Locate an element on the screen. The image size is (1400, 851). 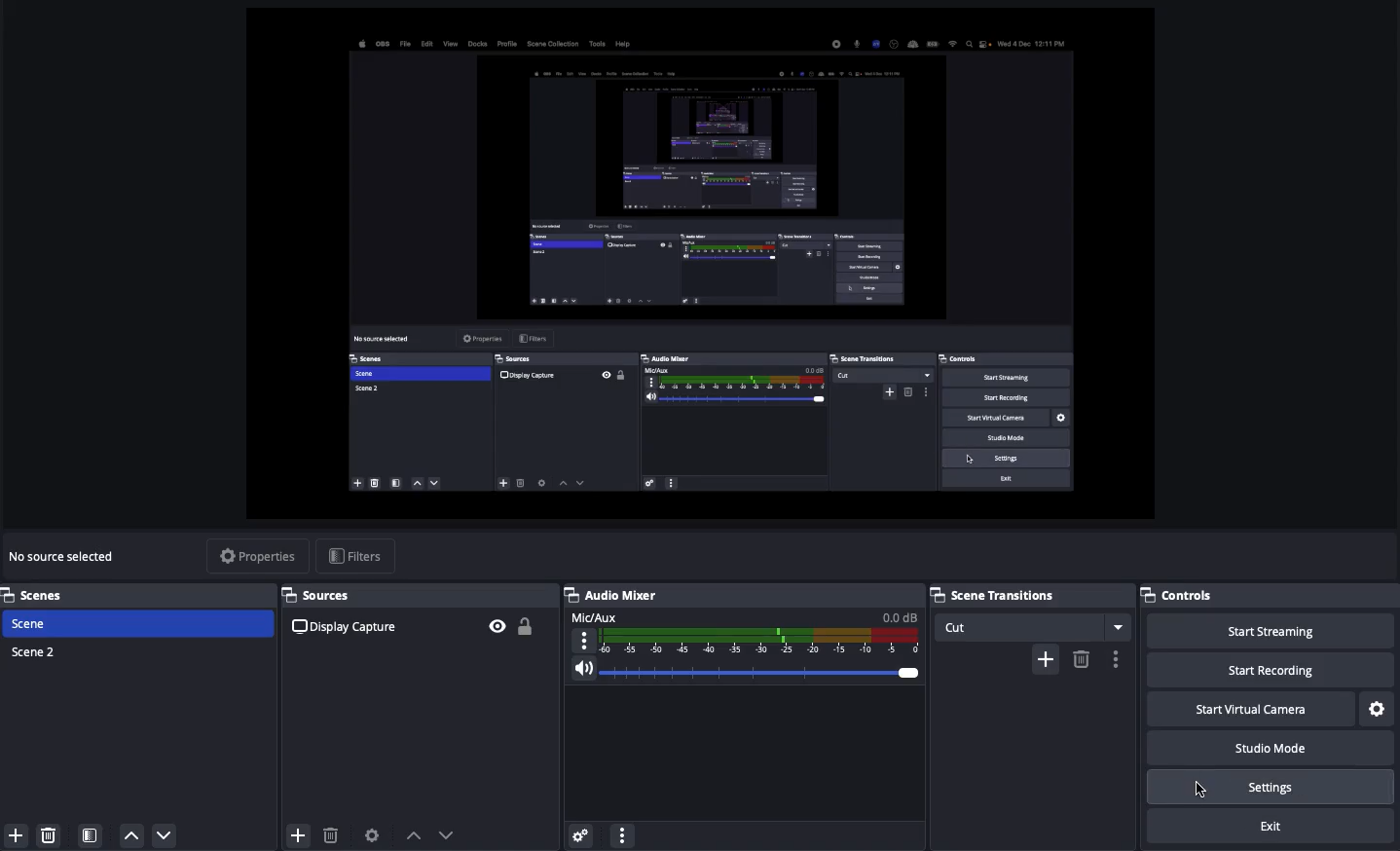
Scene filter is located at coordinates (91, 836).